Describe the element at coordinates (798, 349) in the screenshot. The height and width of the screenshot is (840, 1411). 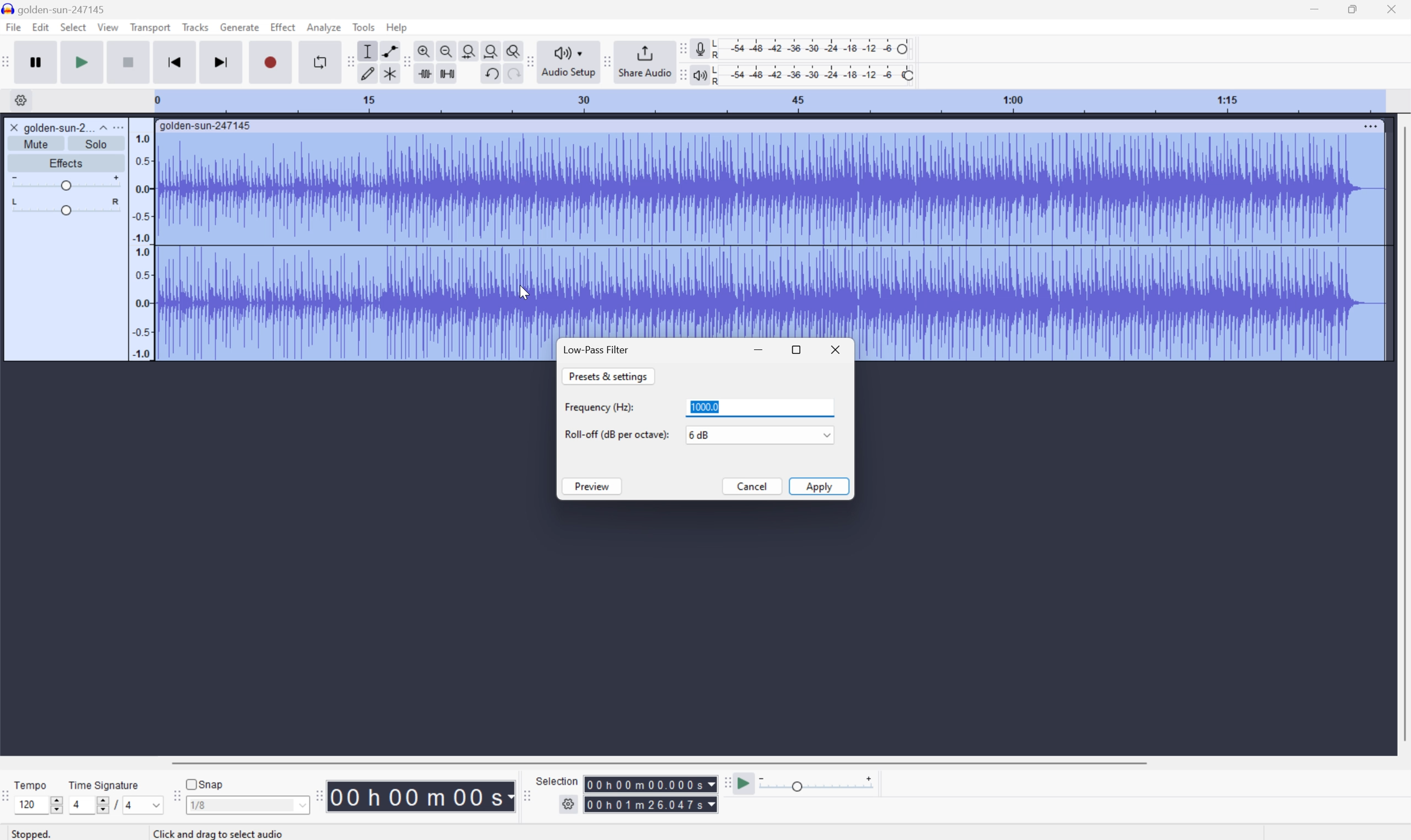
I see `Restore Down` at that location.